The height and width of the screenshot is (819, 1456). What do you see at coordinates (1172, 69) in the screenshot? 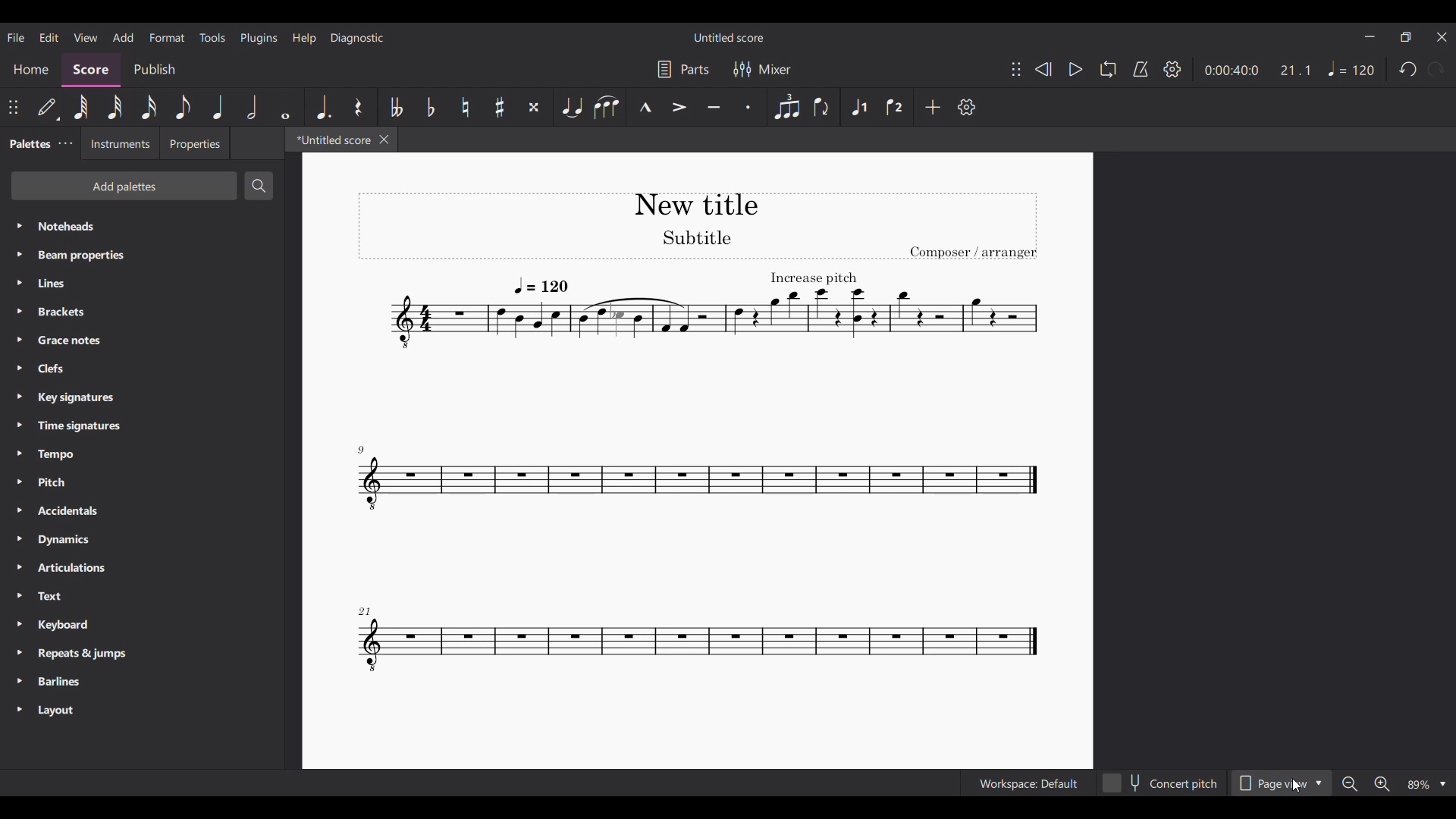
I see `Settings` at bounding box center [1172, 69].